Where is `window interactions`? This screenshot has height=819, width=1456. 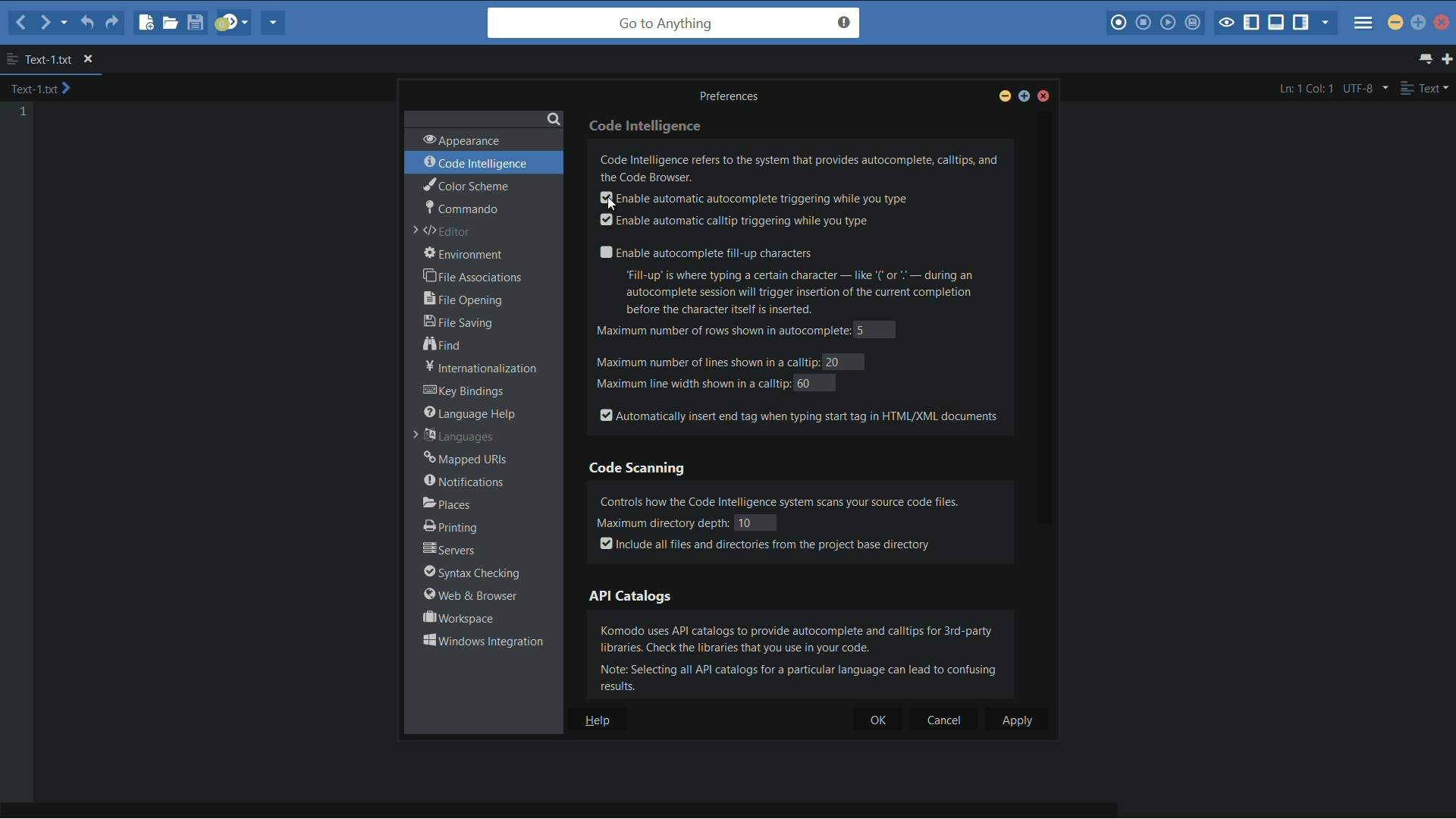
window interactions is located at coordinates (482, 641).